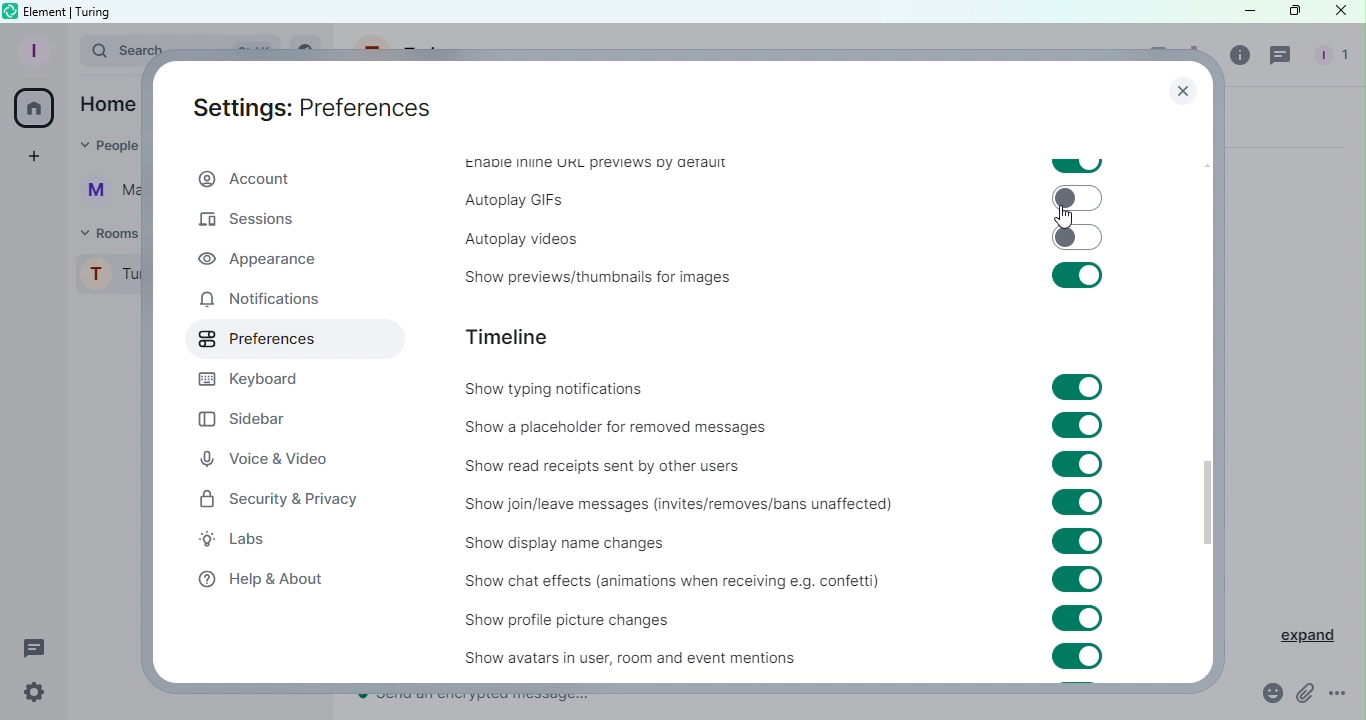 The width and height of the screenshot is (1366, 720). What do you see at coordinates (259, 379) in the screenshot?
I see `Keyboard` at bounding box center [259, 379].